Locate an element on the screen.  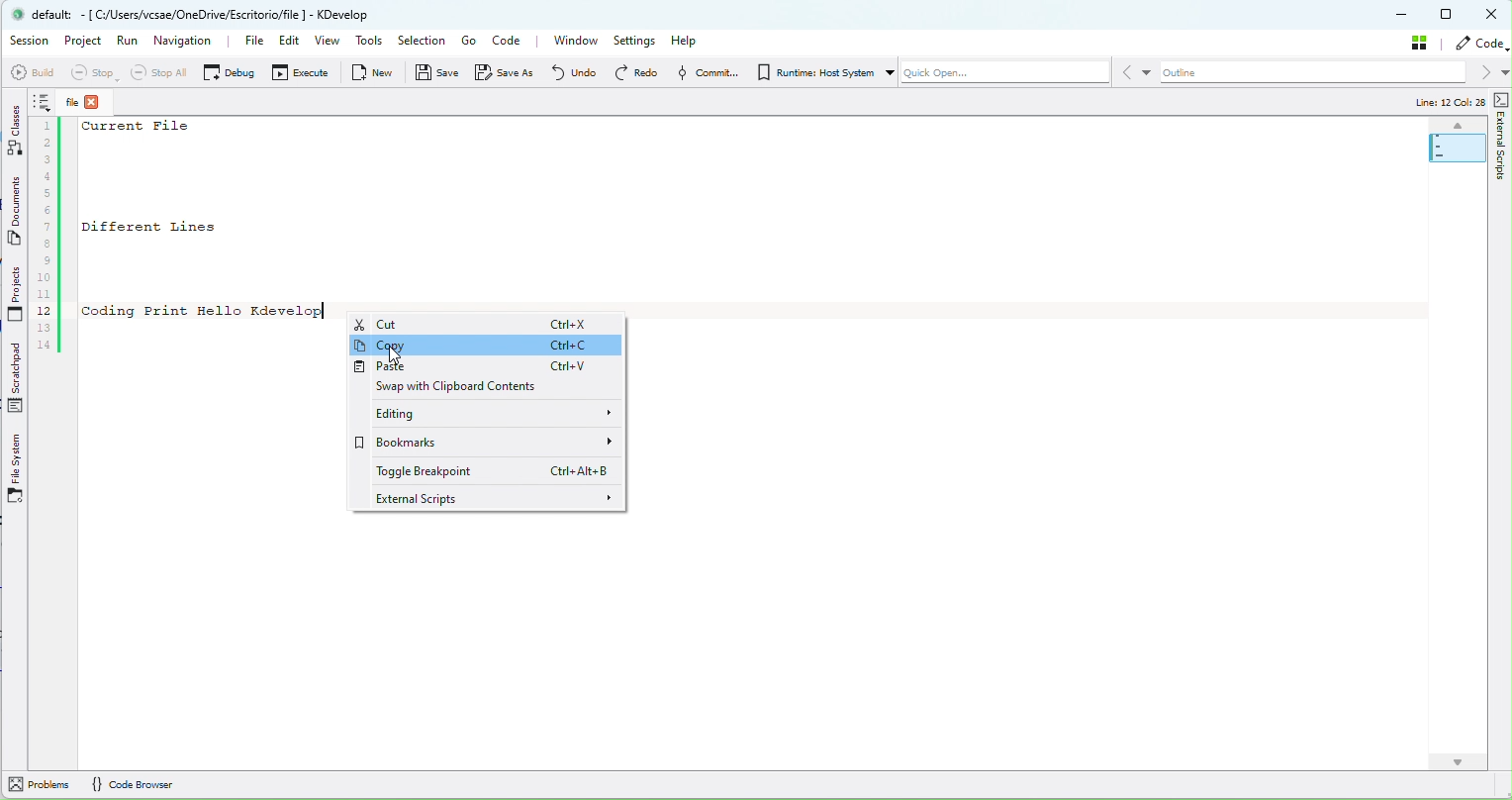
Minimize is located at coordinates (1403, 16).